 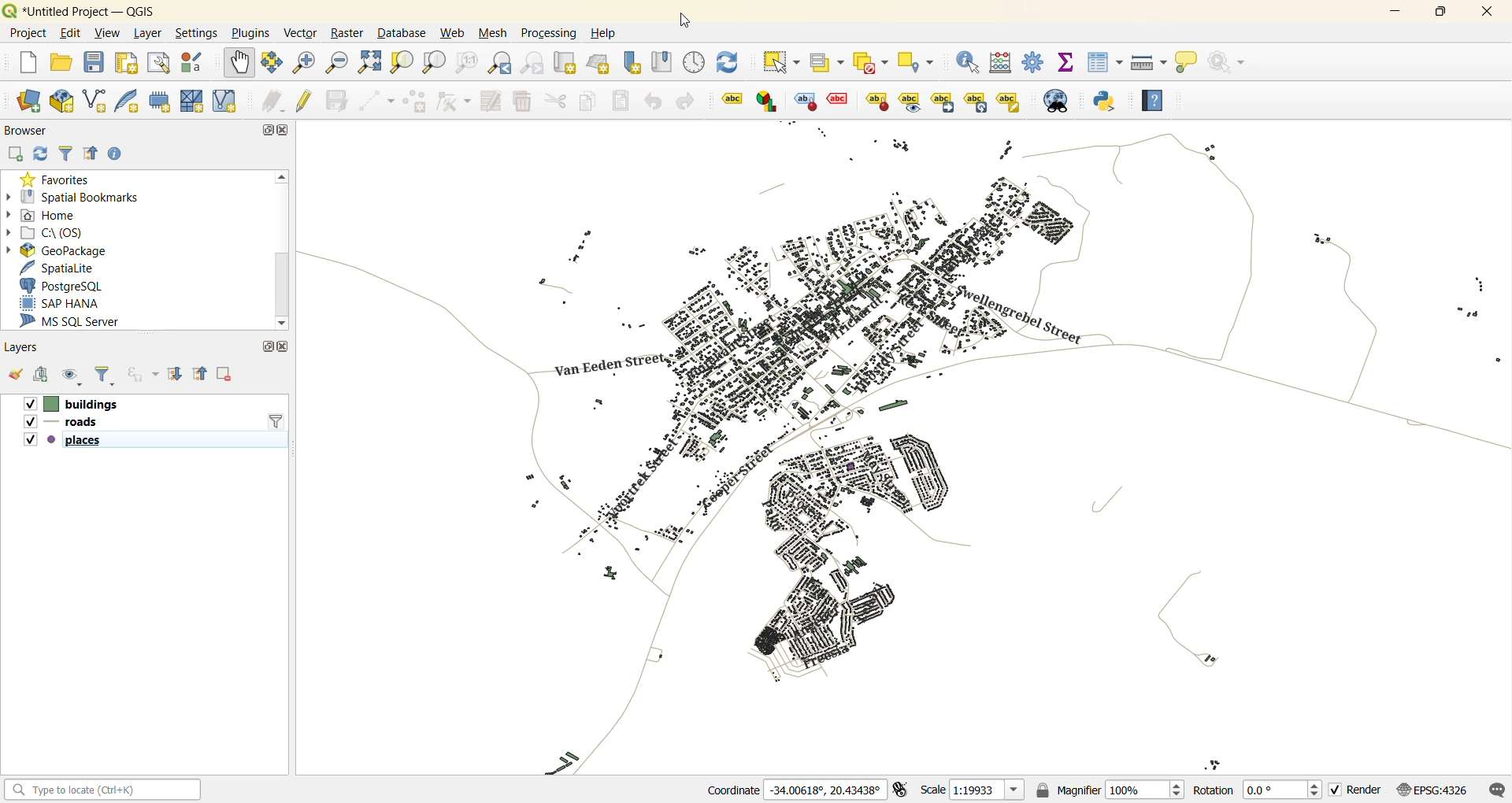 What do you see at coordinates (973, 789) in the screenshot?
I see `scale` at bounding box center [973, 789].